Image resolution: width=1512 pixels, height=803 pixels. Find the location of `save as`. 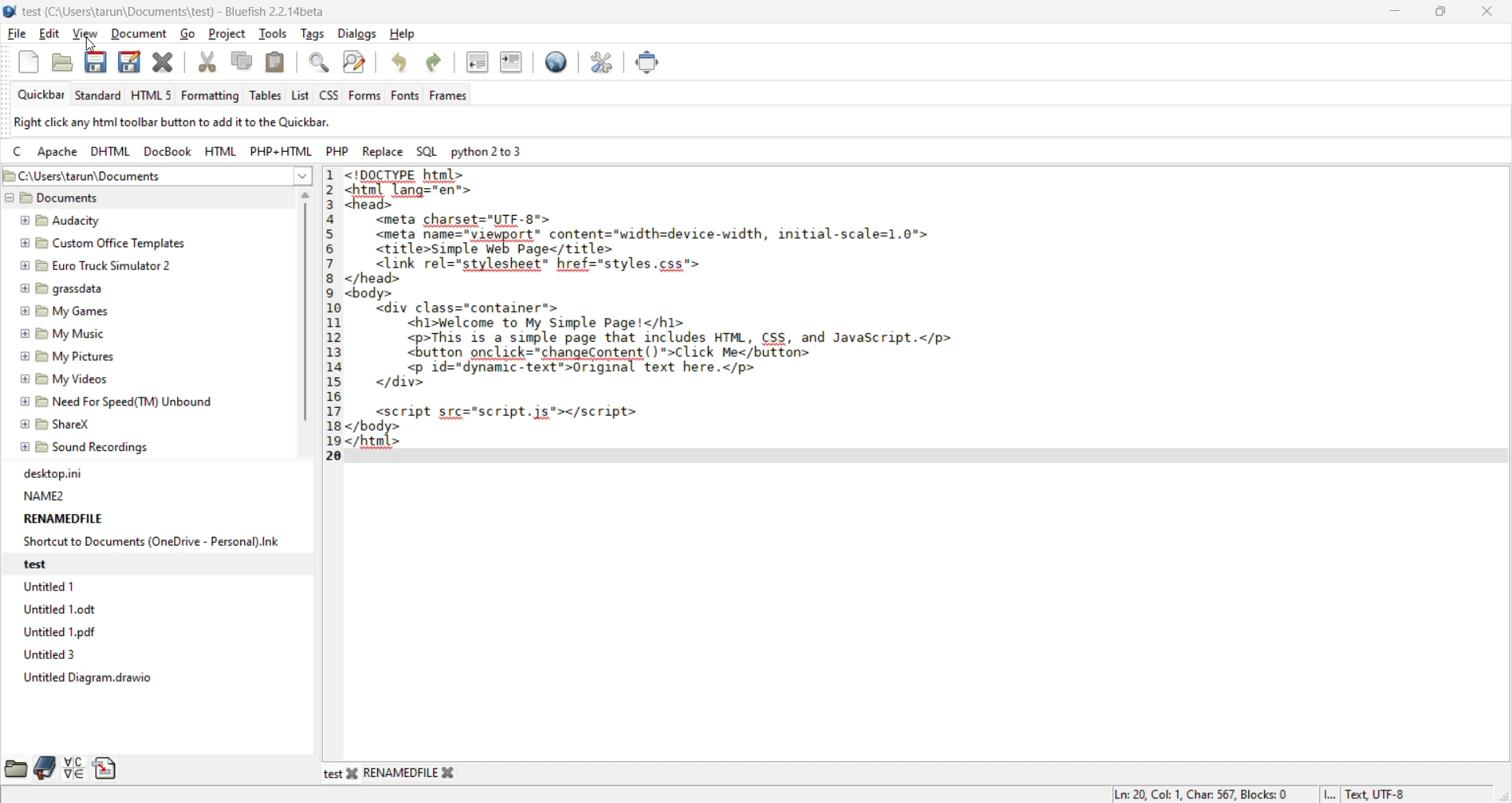

save as is located at coordinates (132, 63).